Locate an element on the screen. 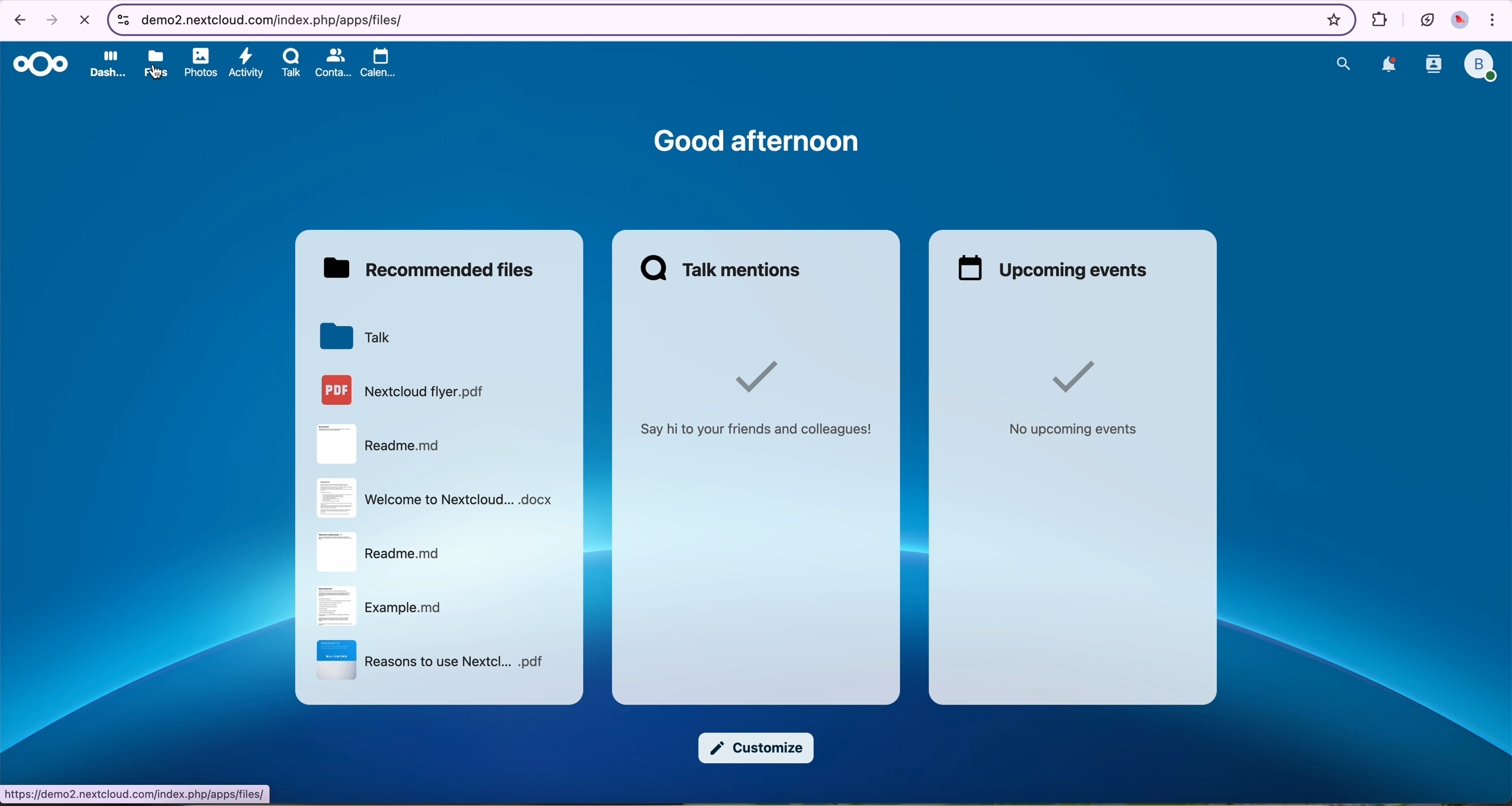 This screenshot has height=806, width=1512. contacts is located at coordinates (1432, 66).